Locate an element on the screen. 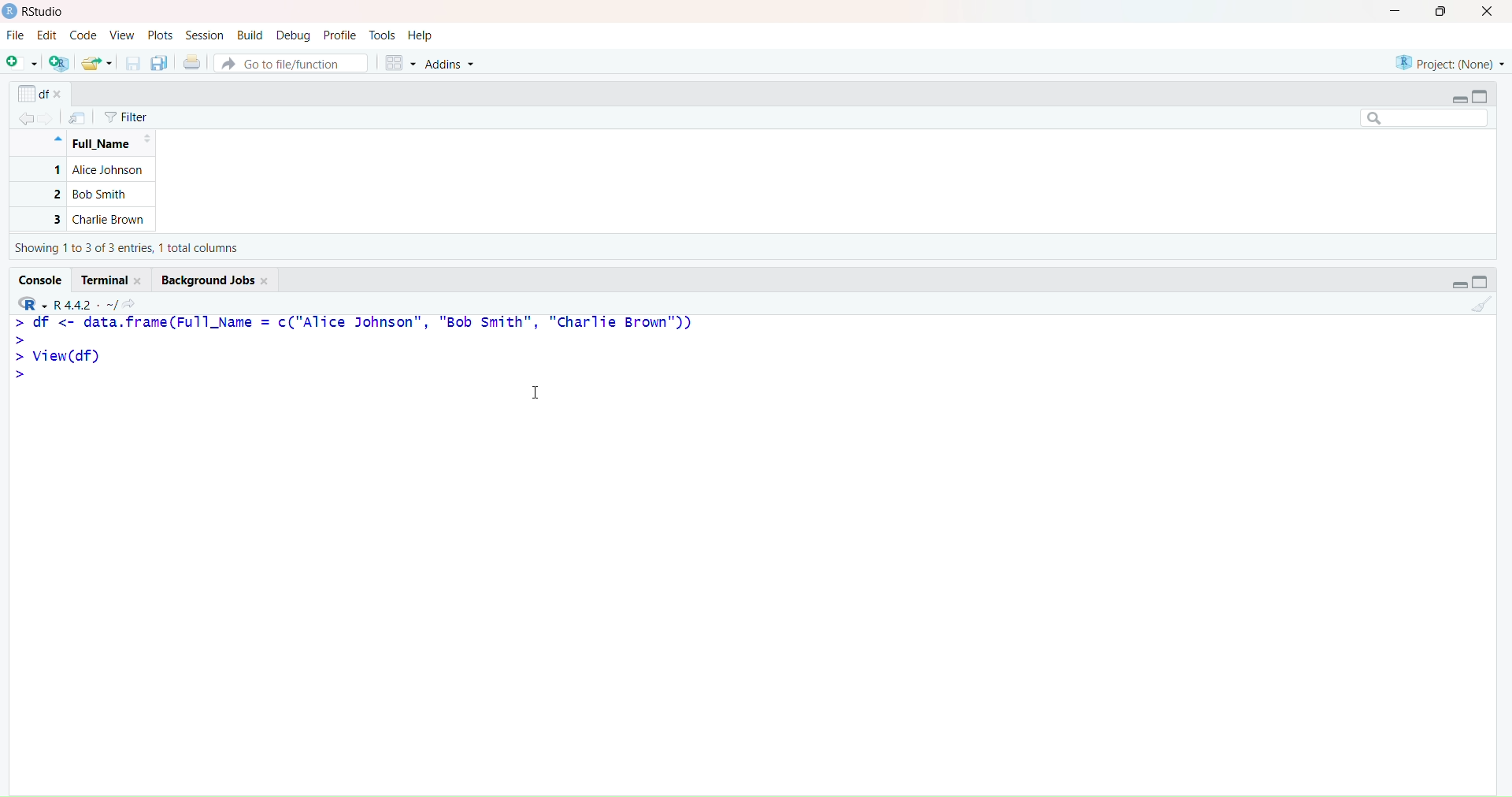 The width and height of the screenshot is (1512, 797). Code is located at coordinates (83, 36).